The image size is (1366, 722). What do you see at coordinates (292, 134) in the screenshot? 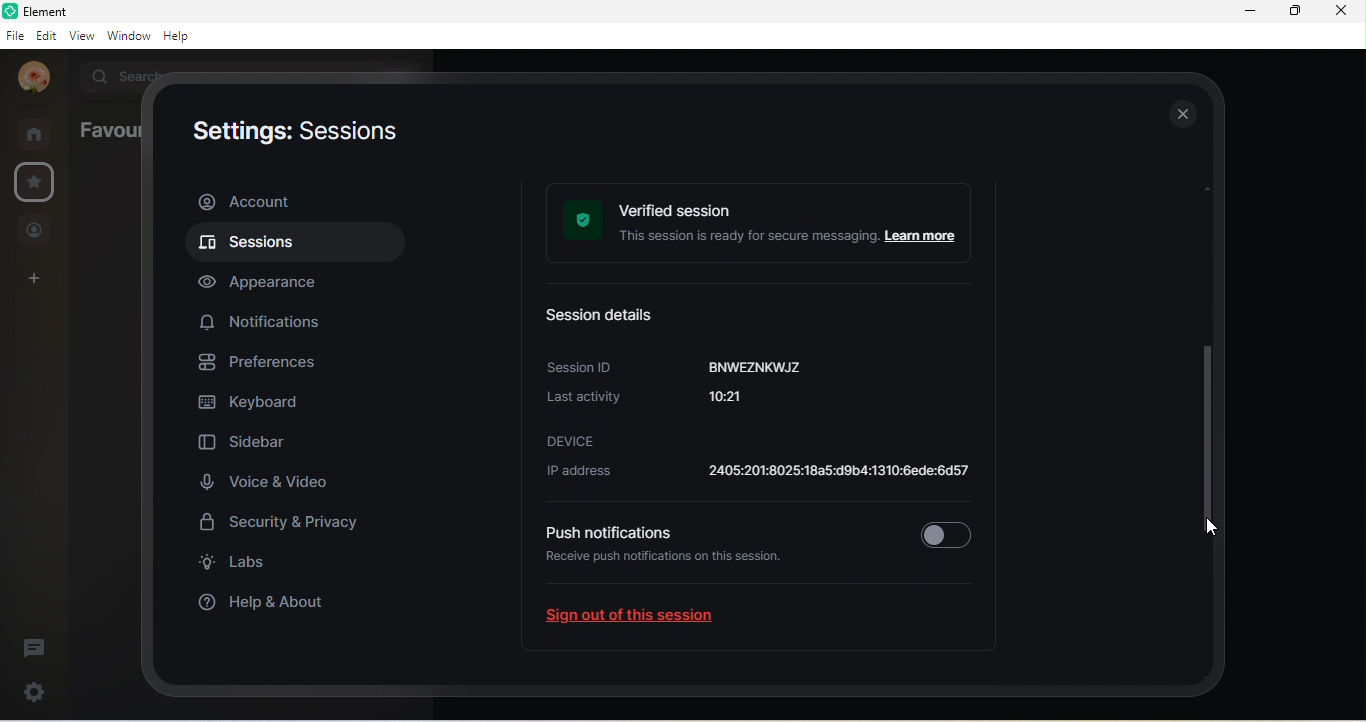
I see `settings : sessions` at bounding box center [292, 134].